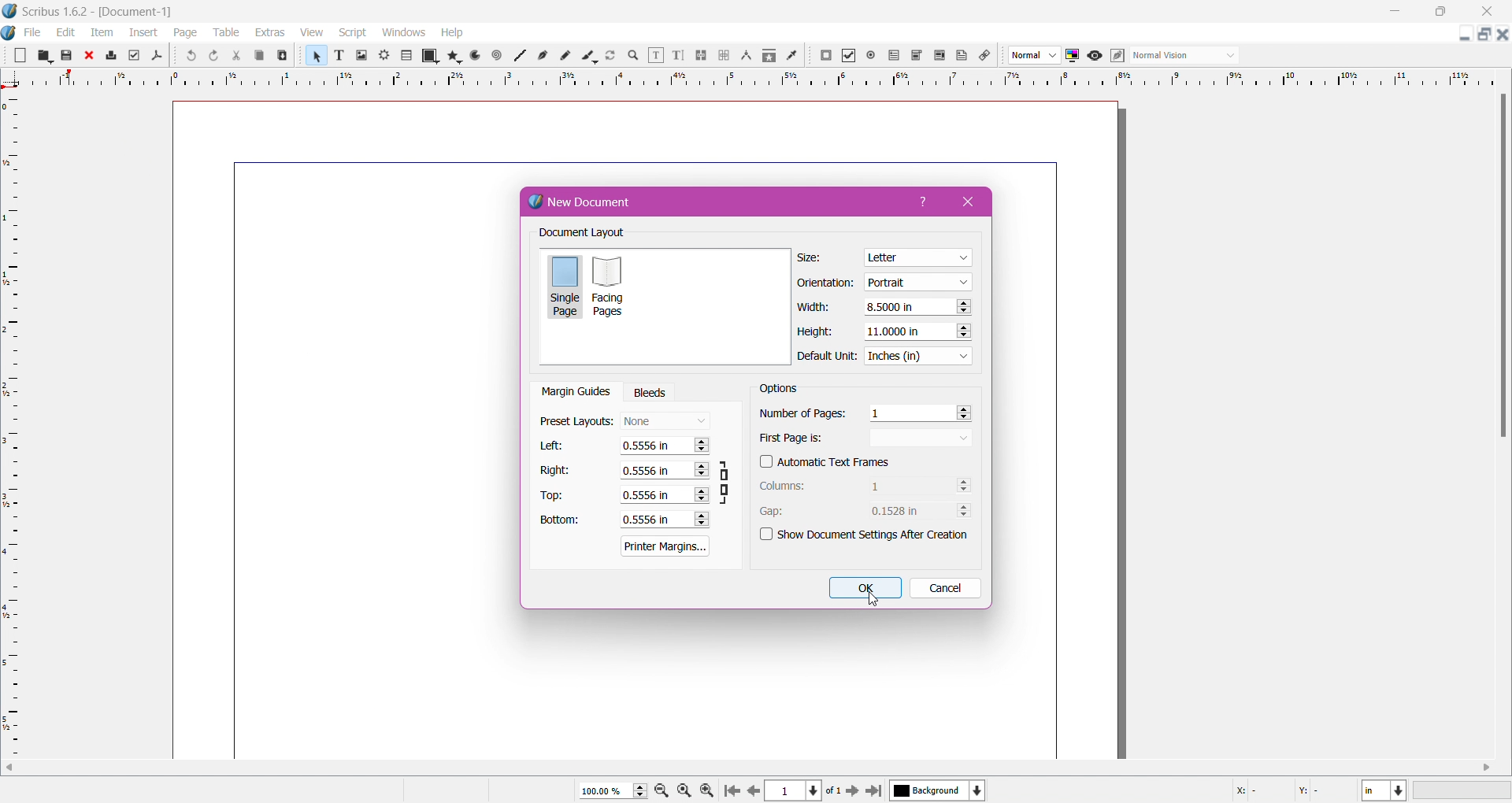 The height and width of the screenshot is (803, 1512). What do you see at coordinates (813, 331) in the screenshot?
I see `height` at bounding box center [813, 331].